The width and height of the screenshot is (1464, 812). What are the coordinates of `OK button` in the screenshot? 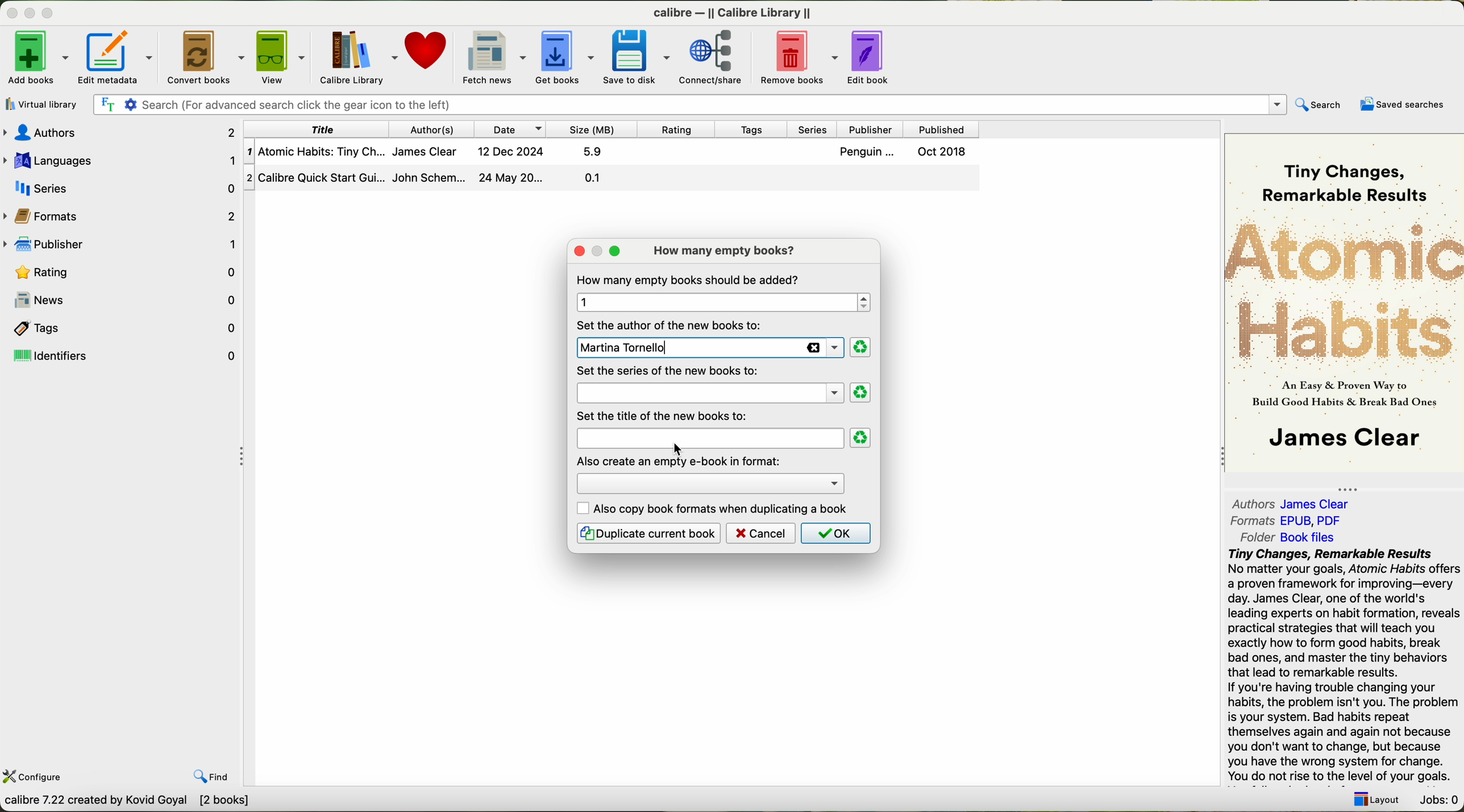 It's located at (834, 533).